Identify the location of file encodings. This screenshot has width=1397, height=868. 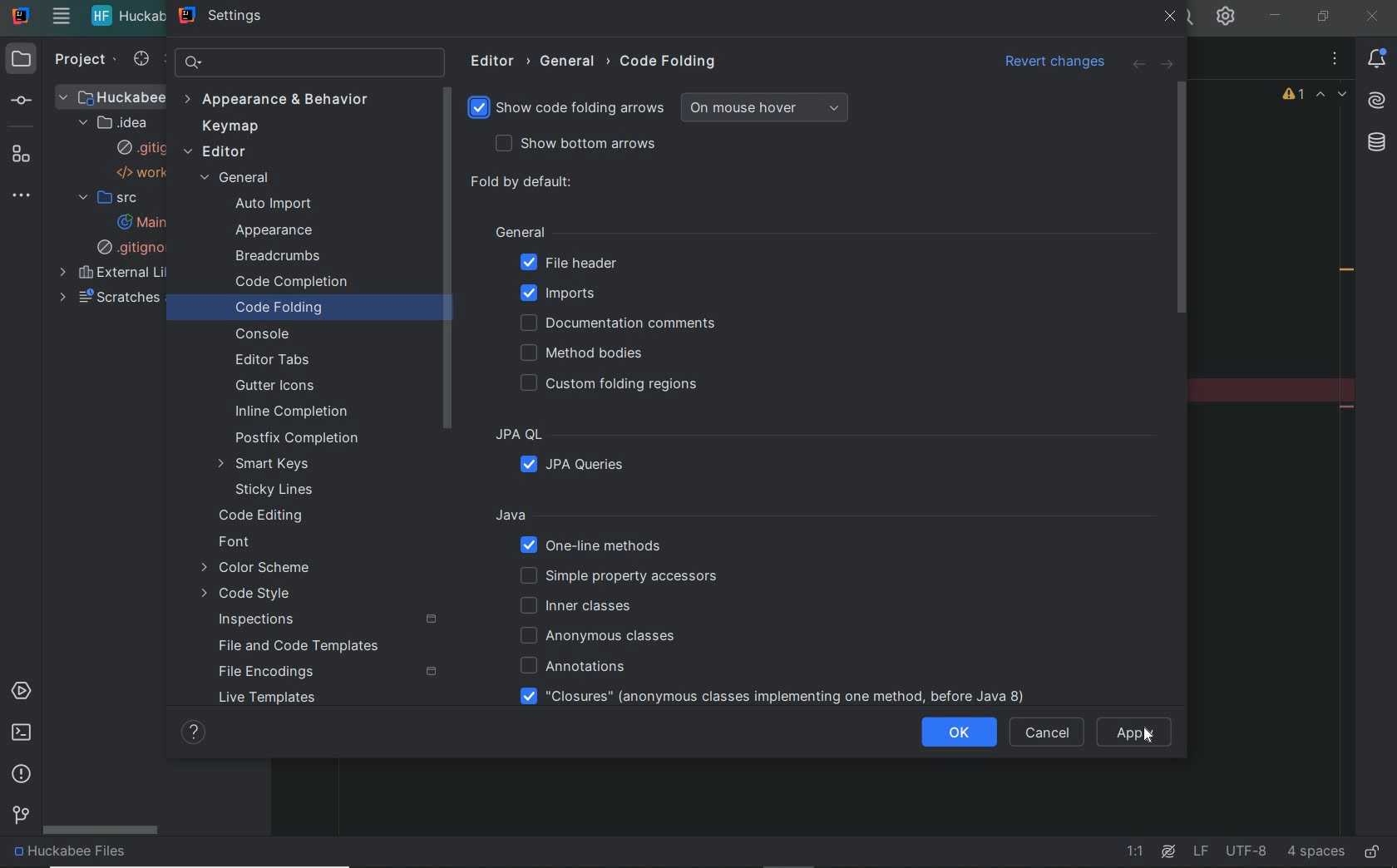
(269, 671).